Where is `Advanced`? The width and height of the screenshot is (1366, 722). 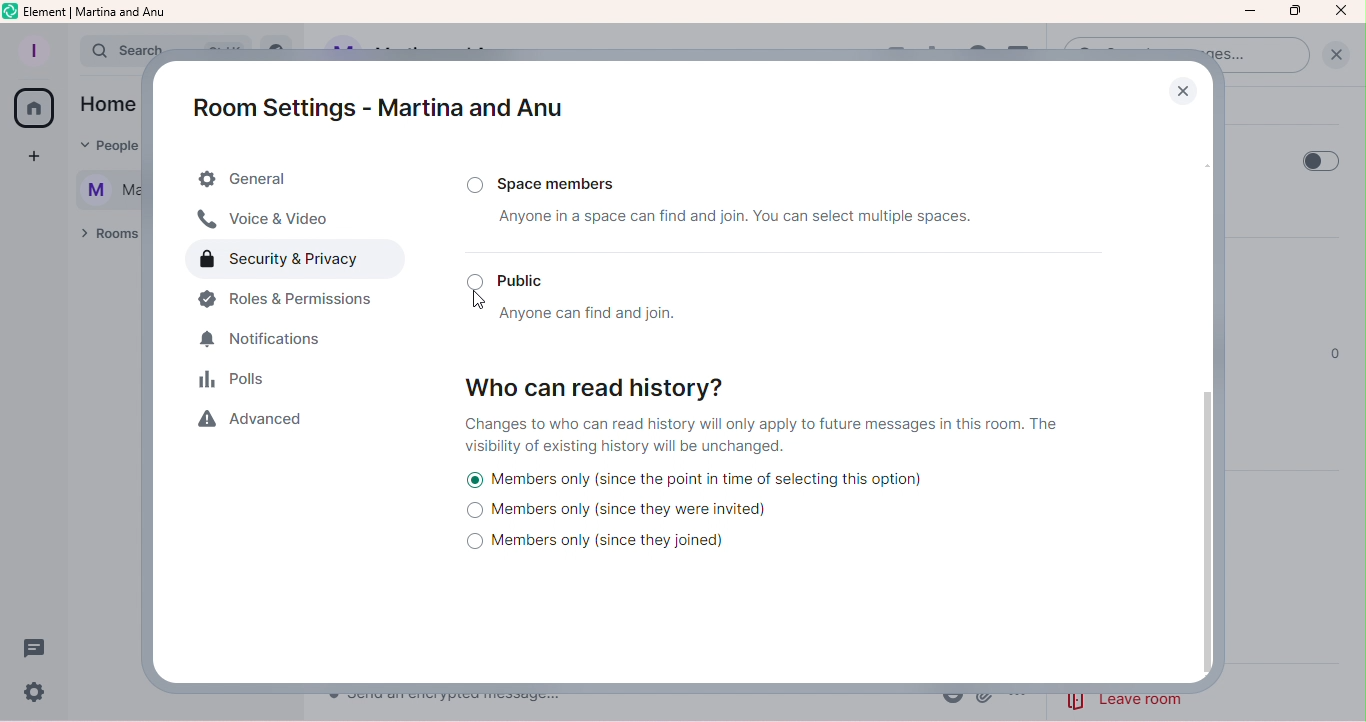
Advanced is located at coordinates (256, 421).